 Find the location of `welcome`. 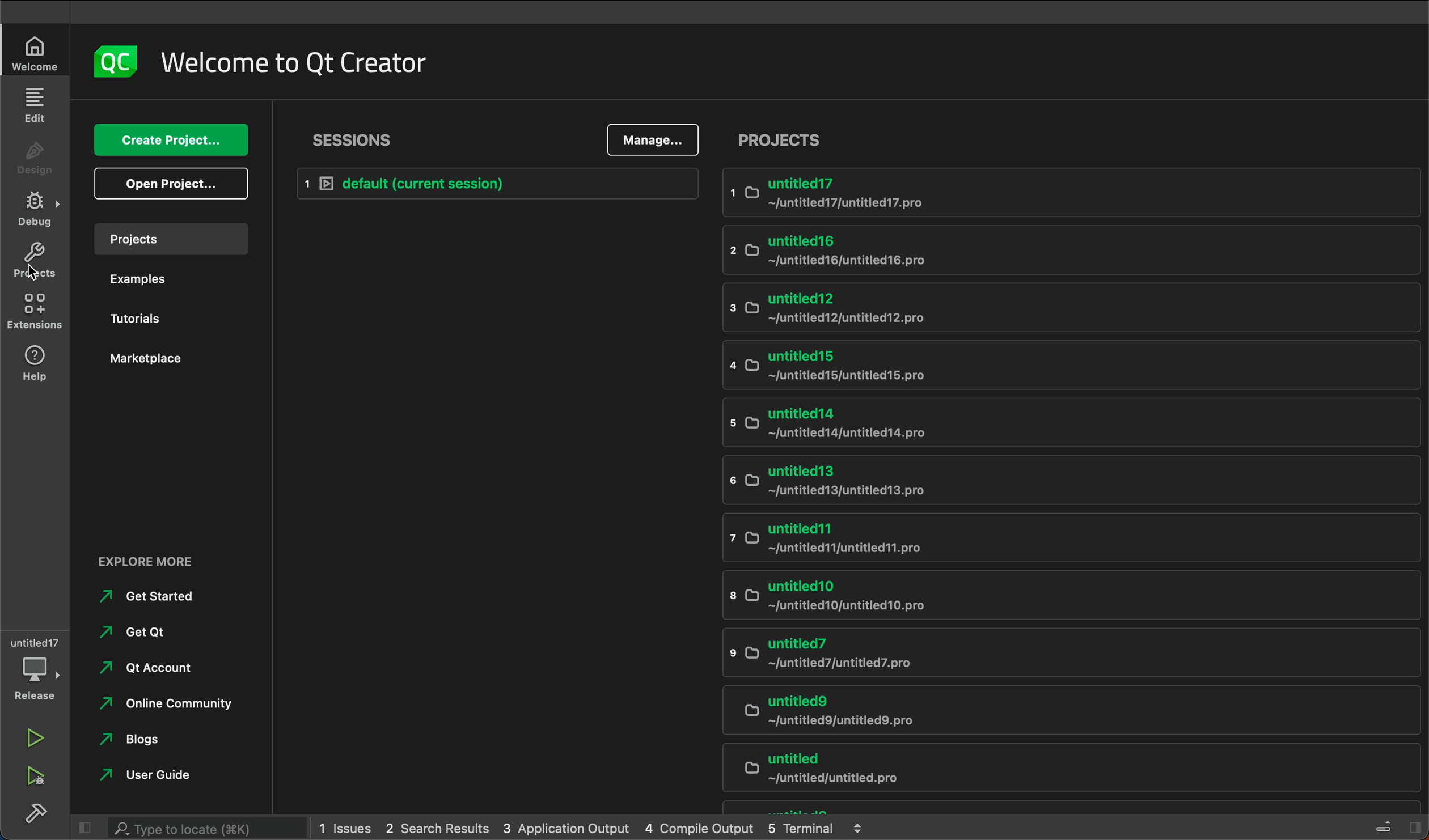

welcome is located at coordinates (33, 50).